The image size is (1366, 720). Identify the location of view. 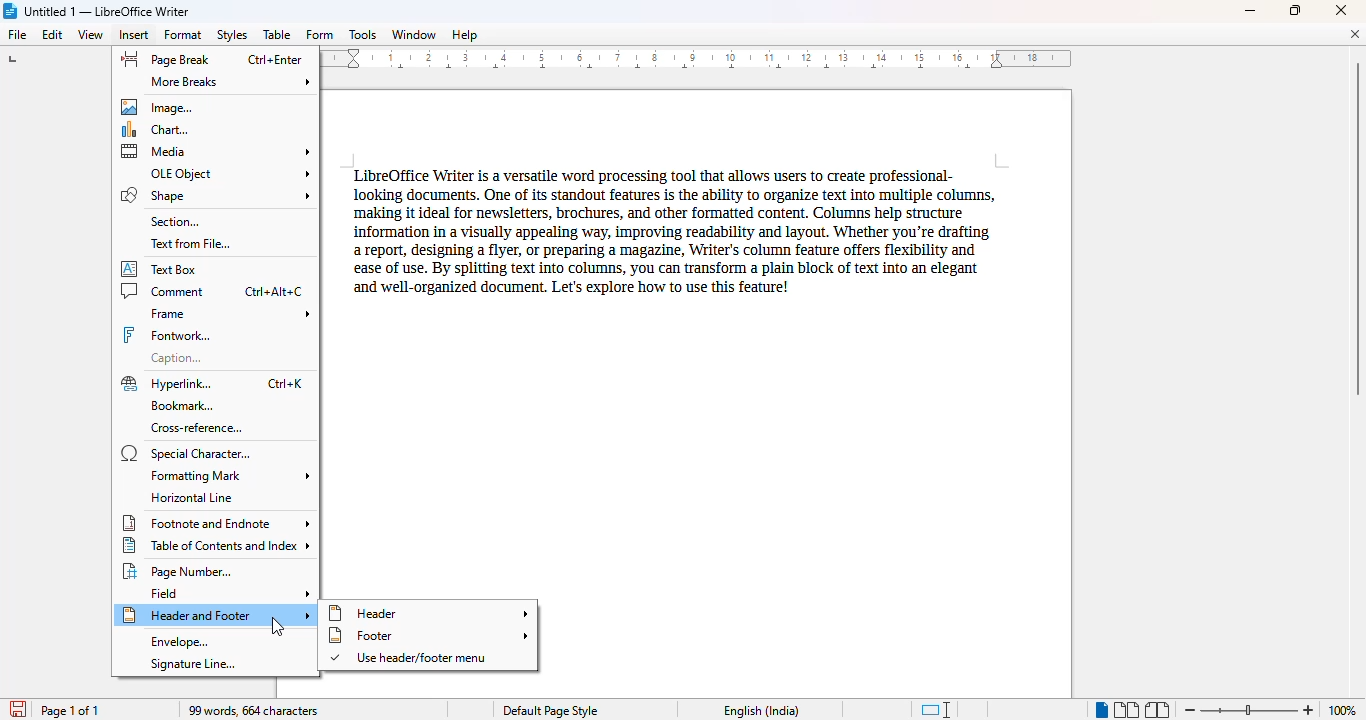
(90, 35).